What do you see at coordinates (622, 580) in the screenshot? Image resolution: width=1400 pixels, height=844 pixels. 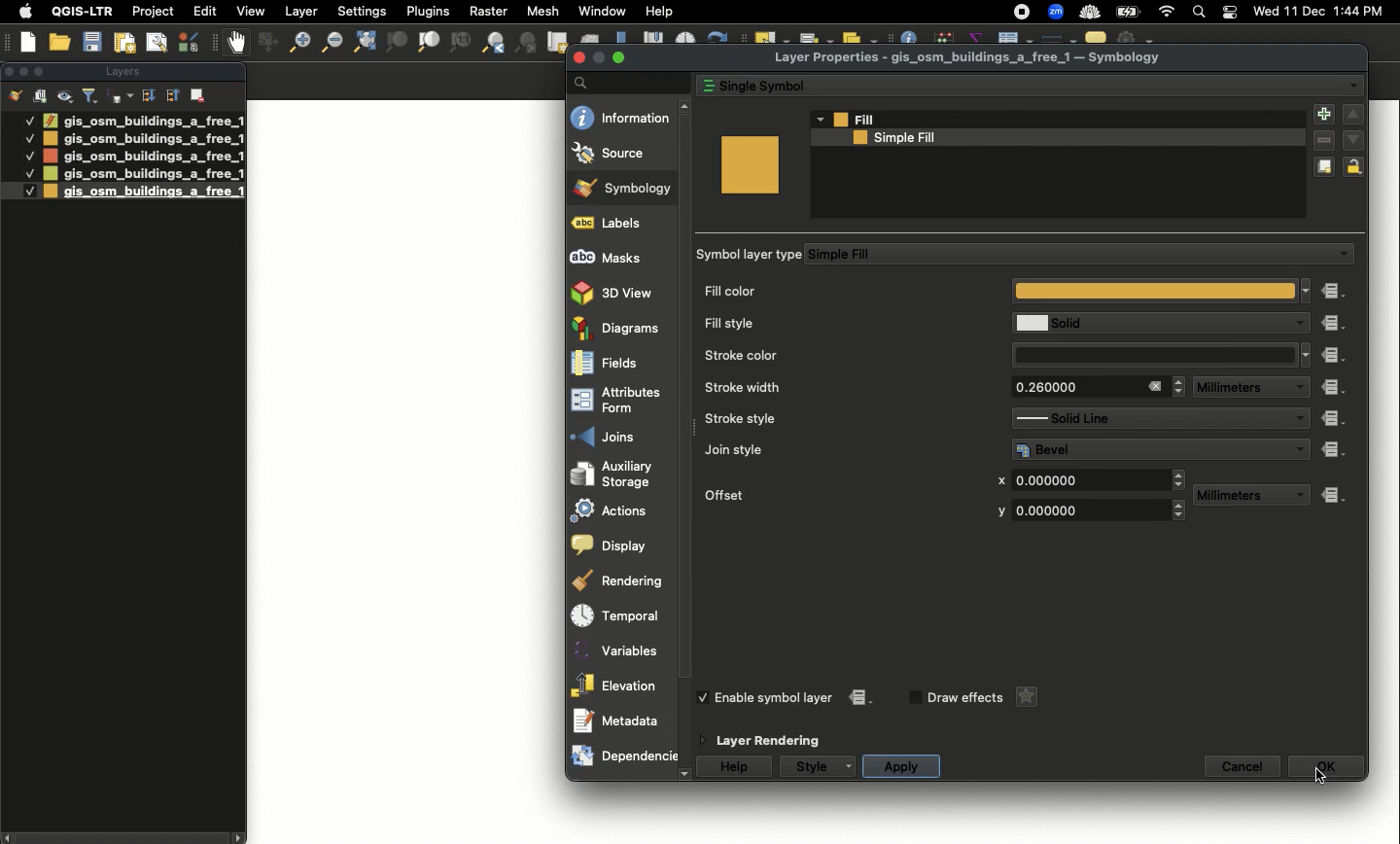 I see `Rendering` at bounding box center [622, 580].